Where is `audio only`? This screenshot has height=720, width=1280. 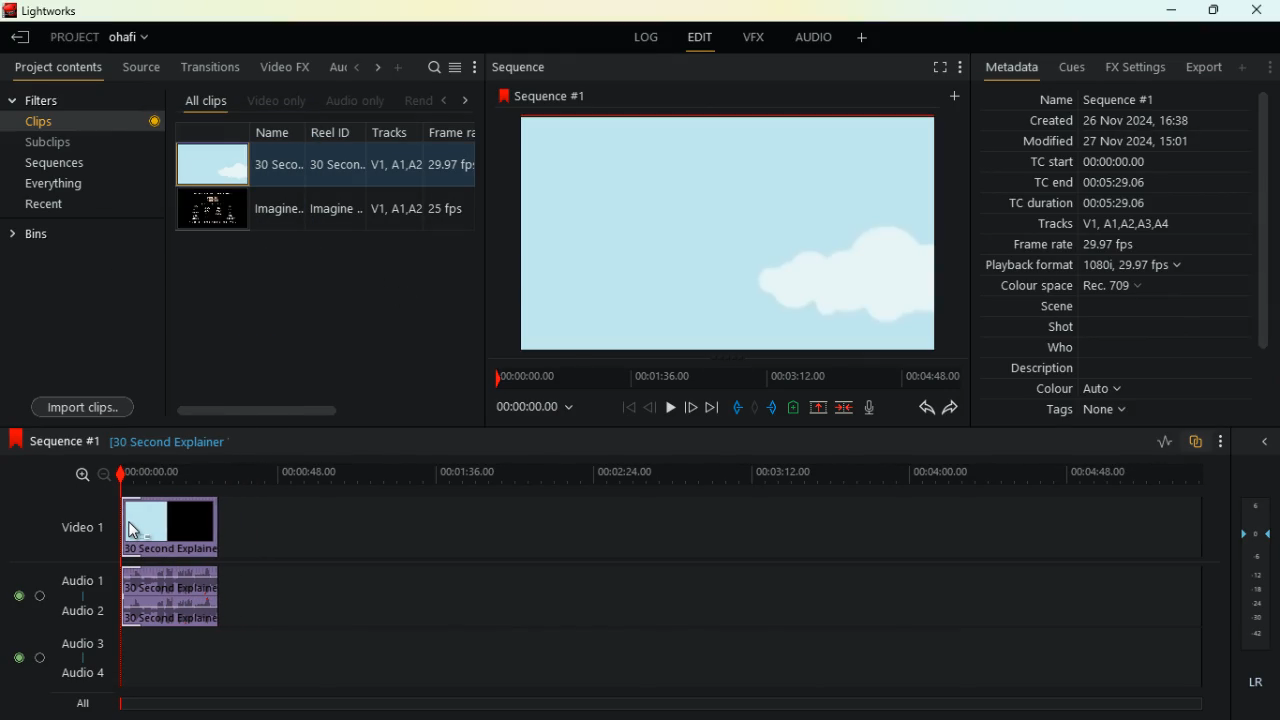 audio only is located at coordinates (357, 100).